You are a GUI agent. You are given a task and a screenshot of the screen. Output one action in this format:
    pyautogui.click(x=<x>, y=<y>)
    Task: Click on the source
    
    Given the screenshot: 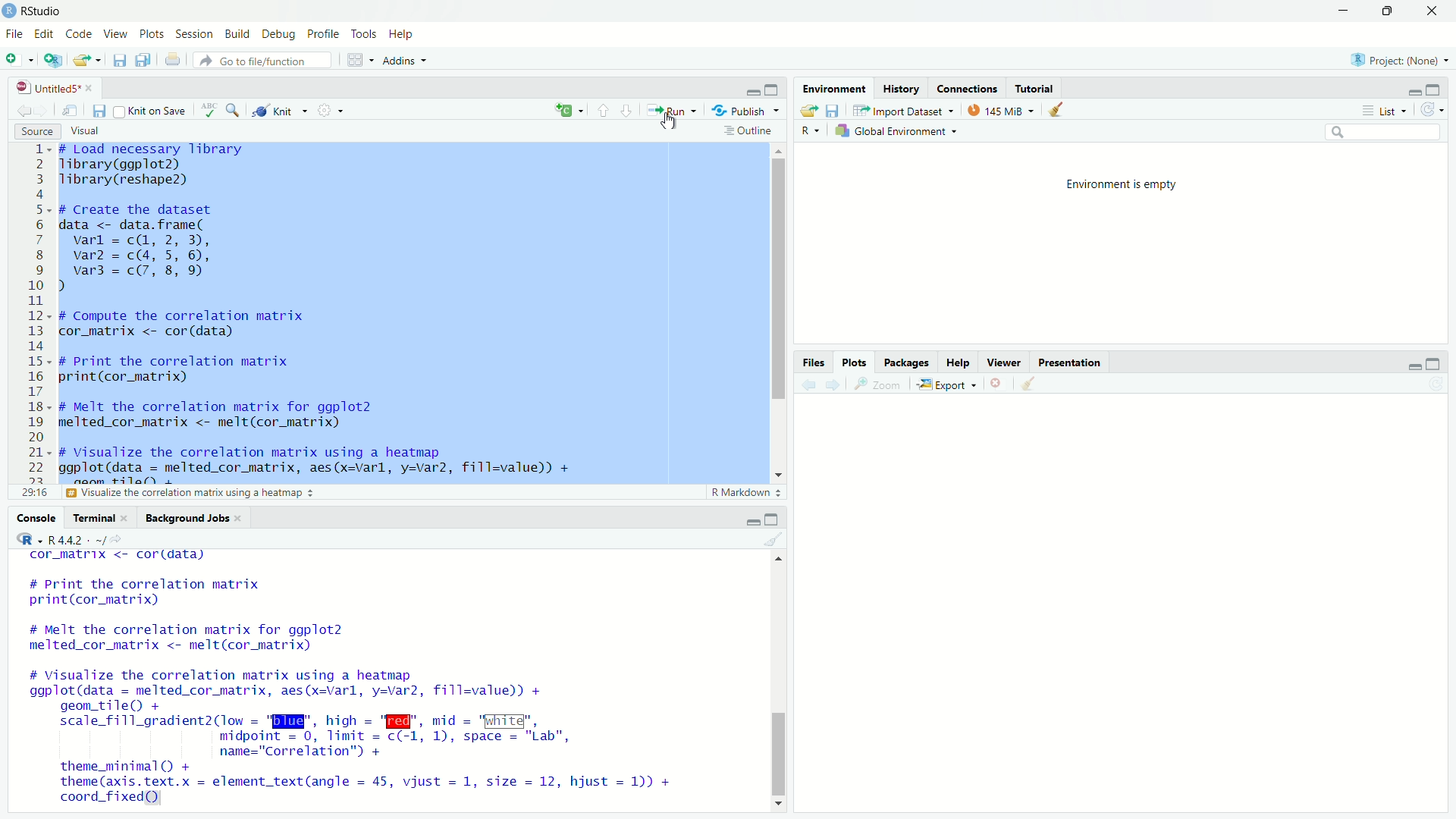 What is the action you would take?
    pyautogui.click(x=37, y=131)
    